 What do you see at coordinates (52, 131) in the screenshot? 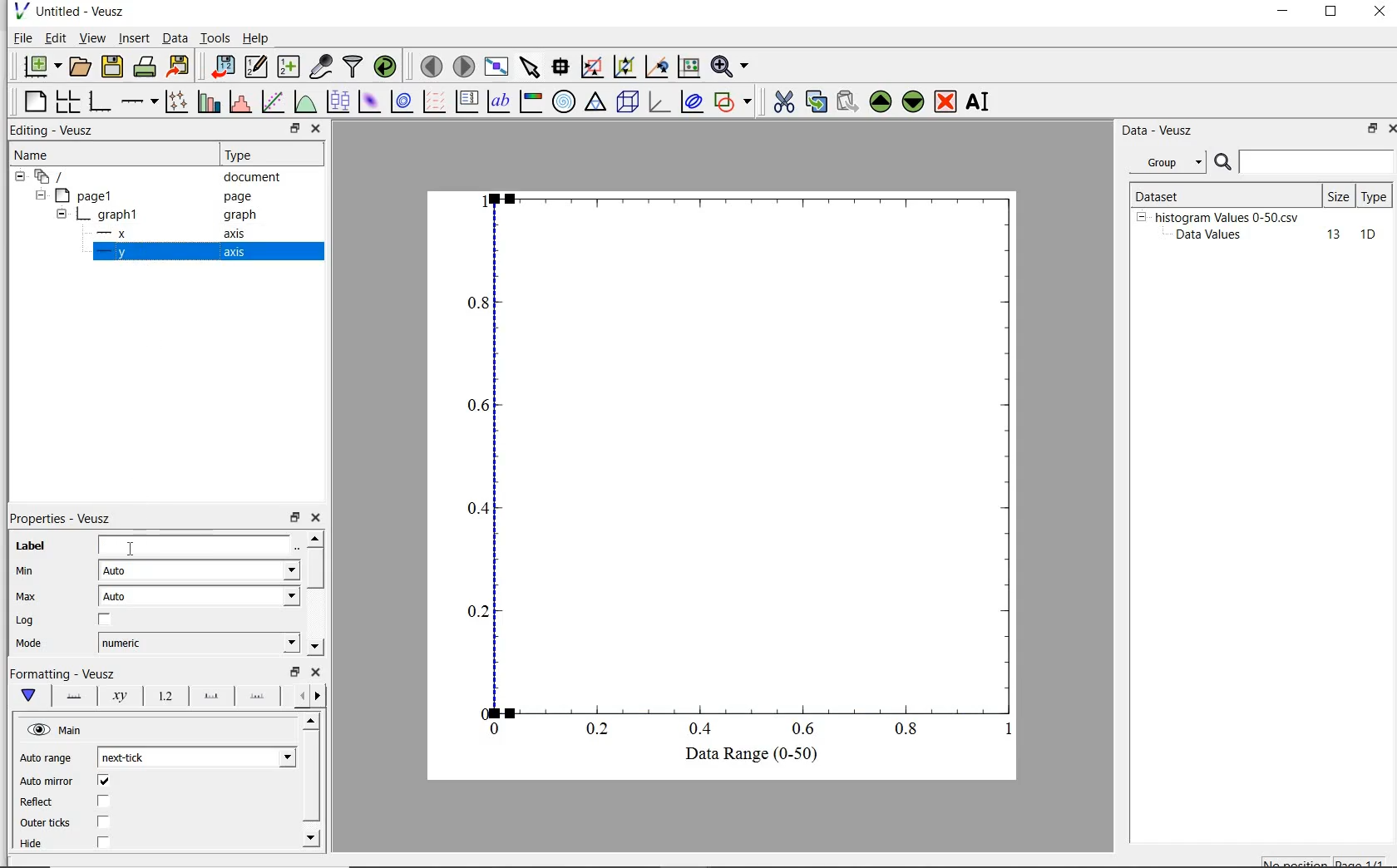
I see `editing-veusz` at bounding box center [52, 131].